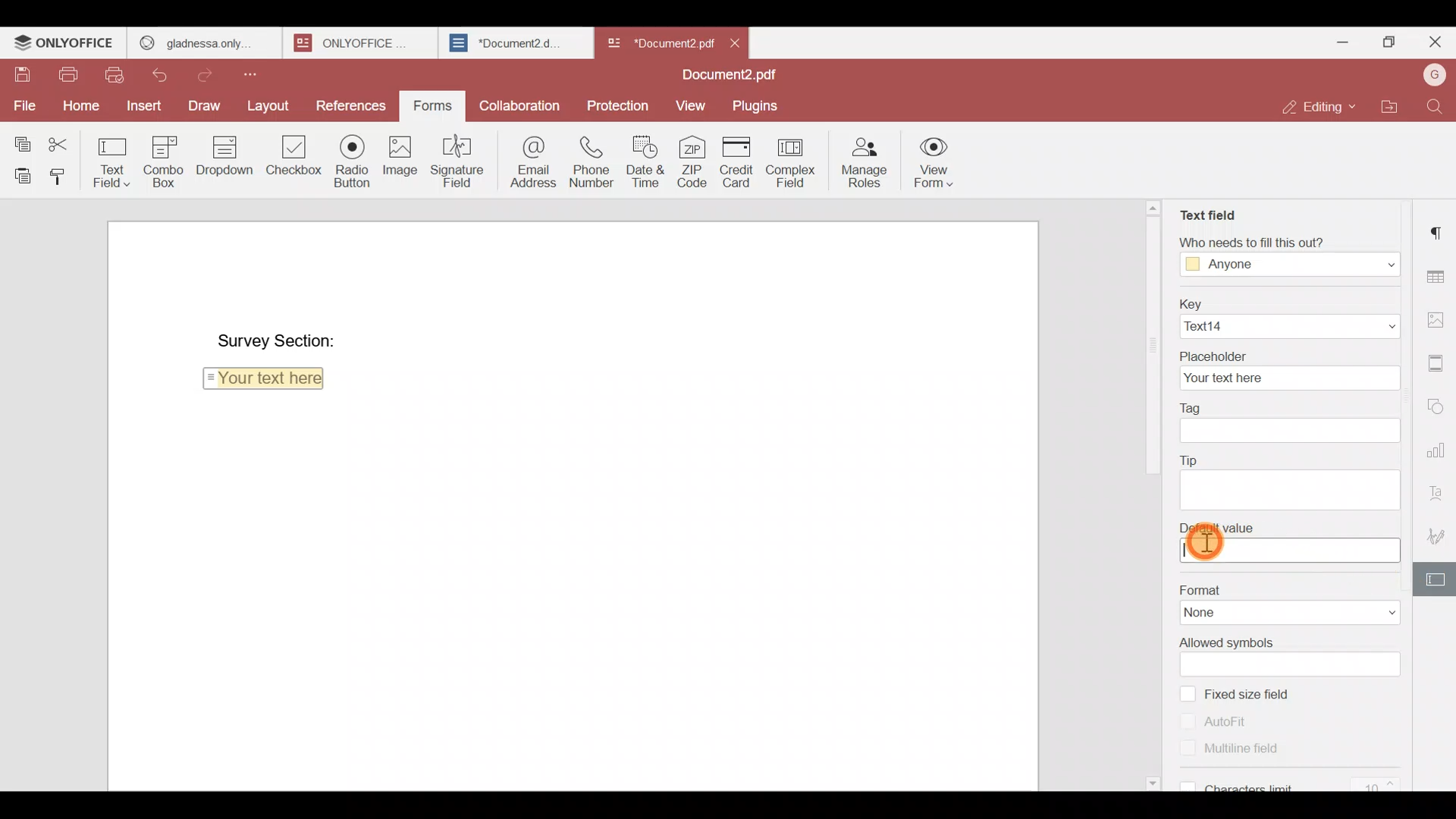 This screenshot has height=819, width=1456. I want to click on Paragraph settings, so click(1439, 227).